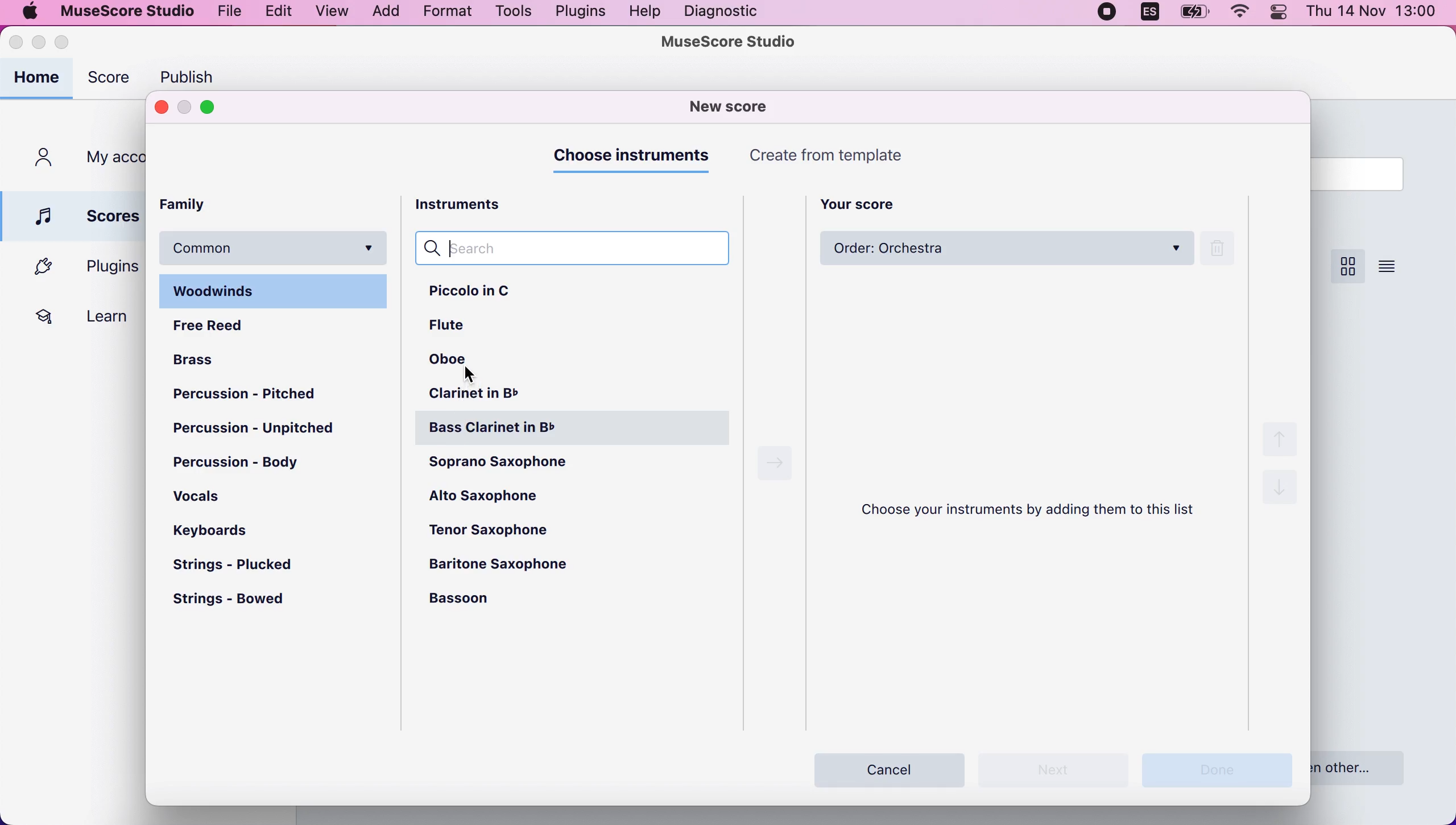 The width and height of the screenshot is (1456, 825). I want to click on instruments, so click(471, 206).